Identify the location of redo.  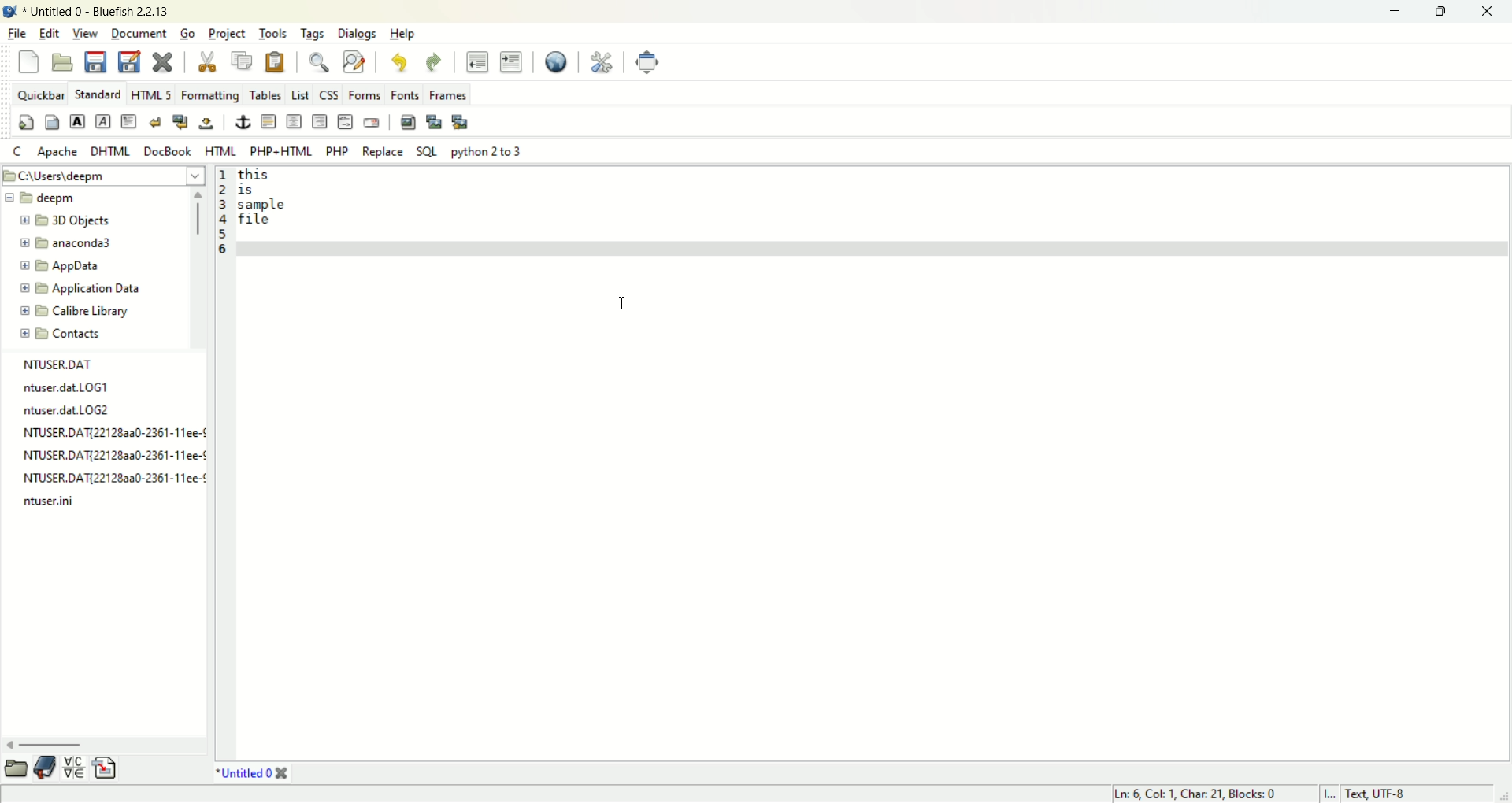
(433, 62).